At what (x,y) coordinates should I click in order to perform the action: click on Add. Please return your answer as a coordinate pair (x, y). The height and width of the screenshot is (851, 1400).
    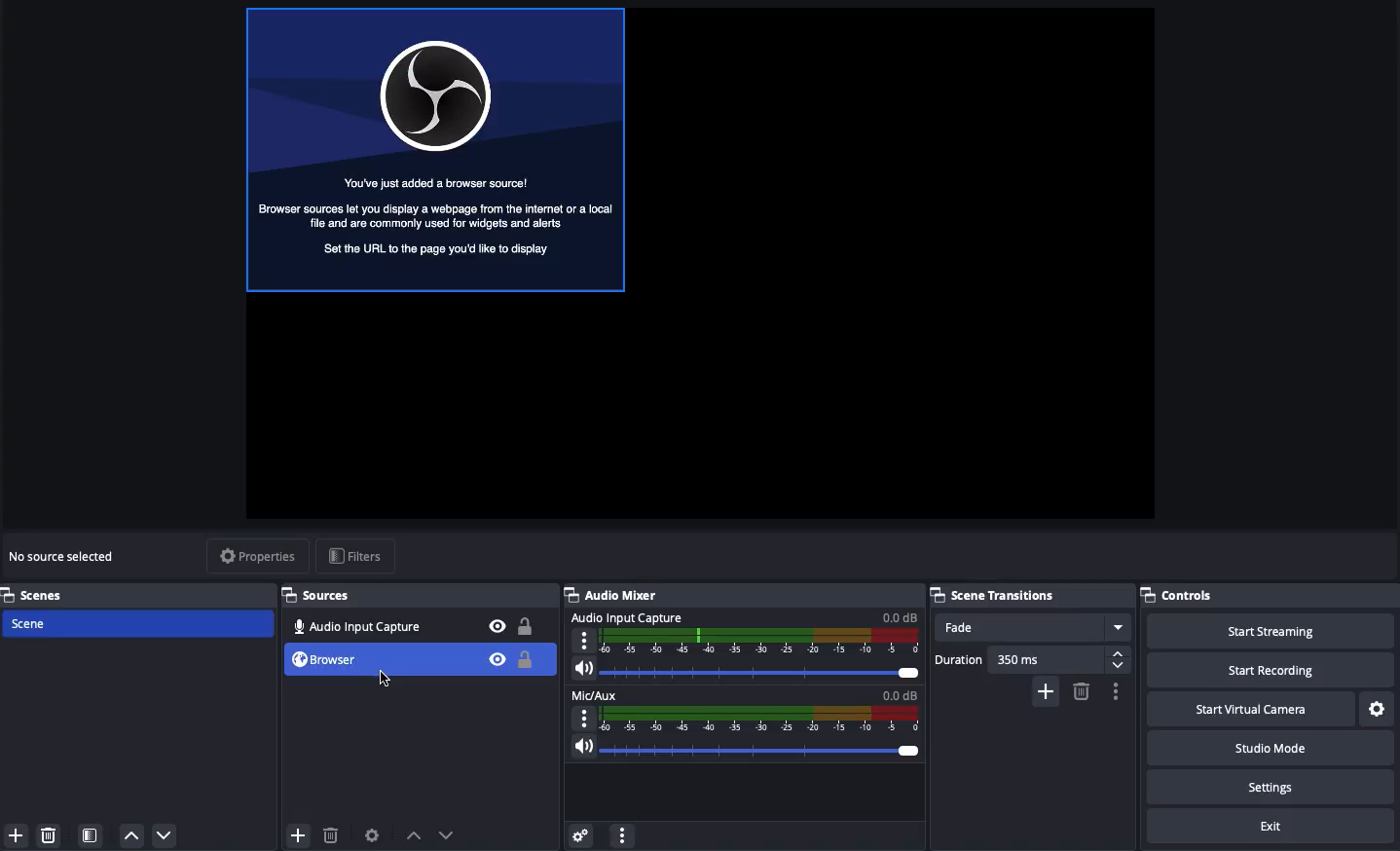
    Looking at the image, I should click on (1046, 692).